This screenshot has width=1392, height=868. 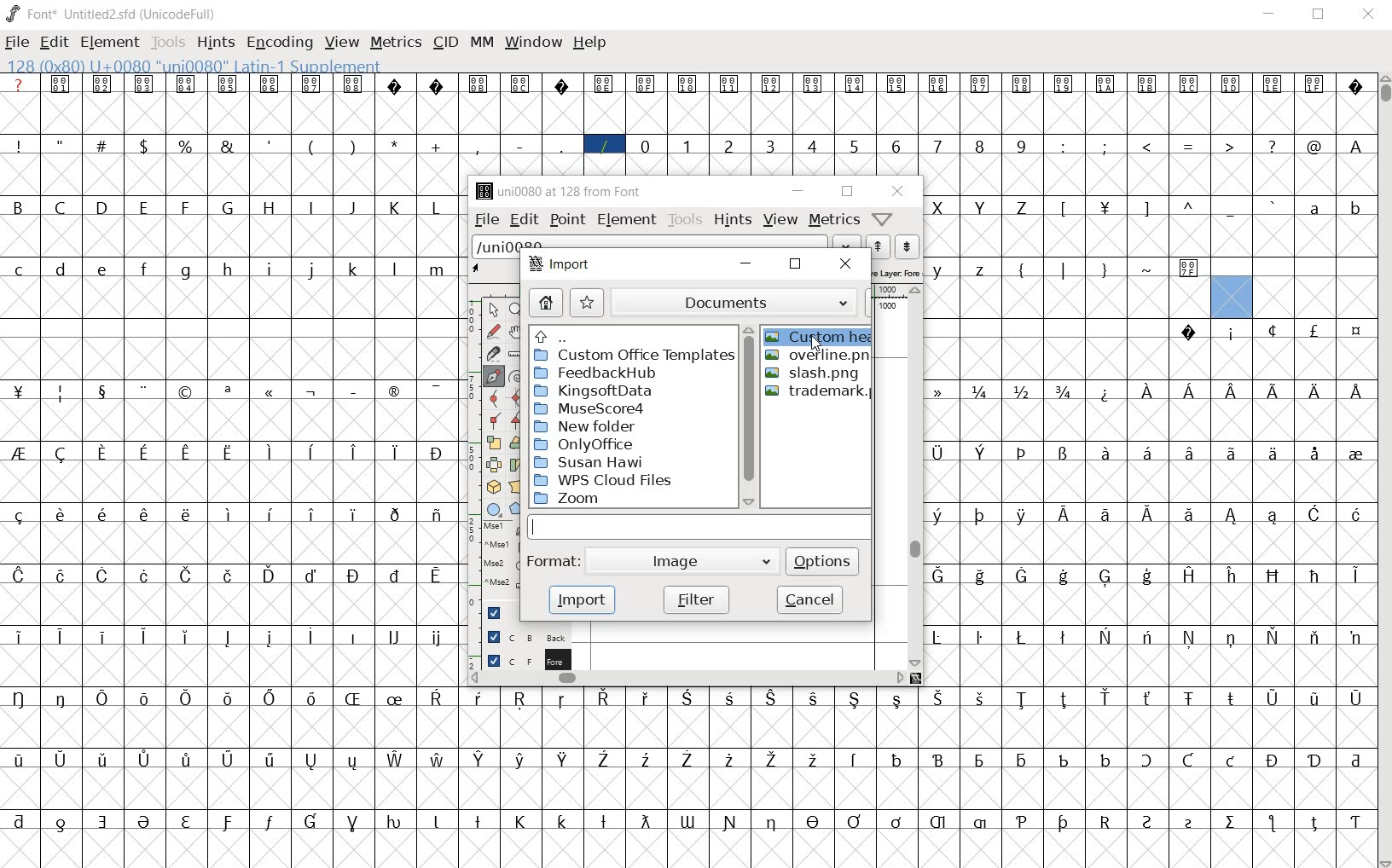 I want to click on glyph, so click(x=437, y=516).